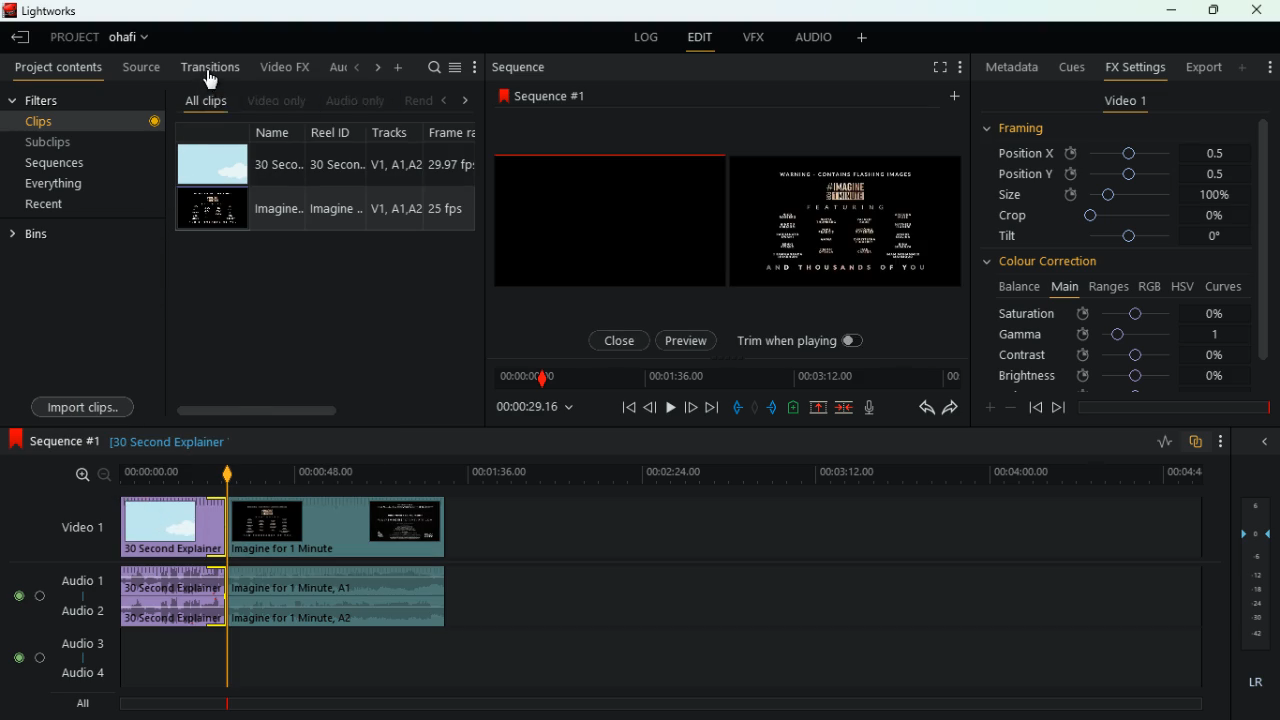  What do you see at coordinates (725, 378) in the screenshot?
I see `time` at bounding box center [725, 378].